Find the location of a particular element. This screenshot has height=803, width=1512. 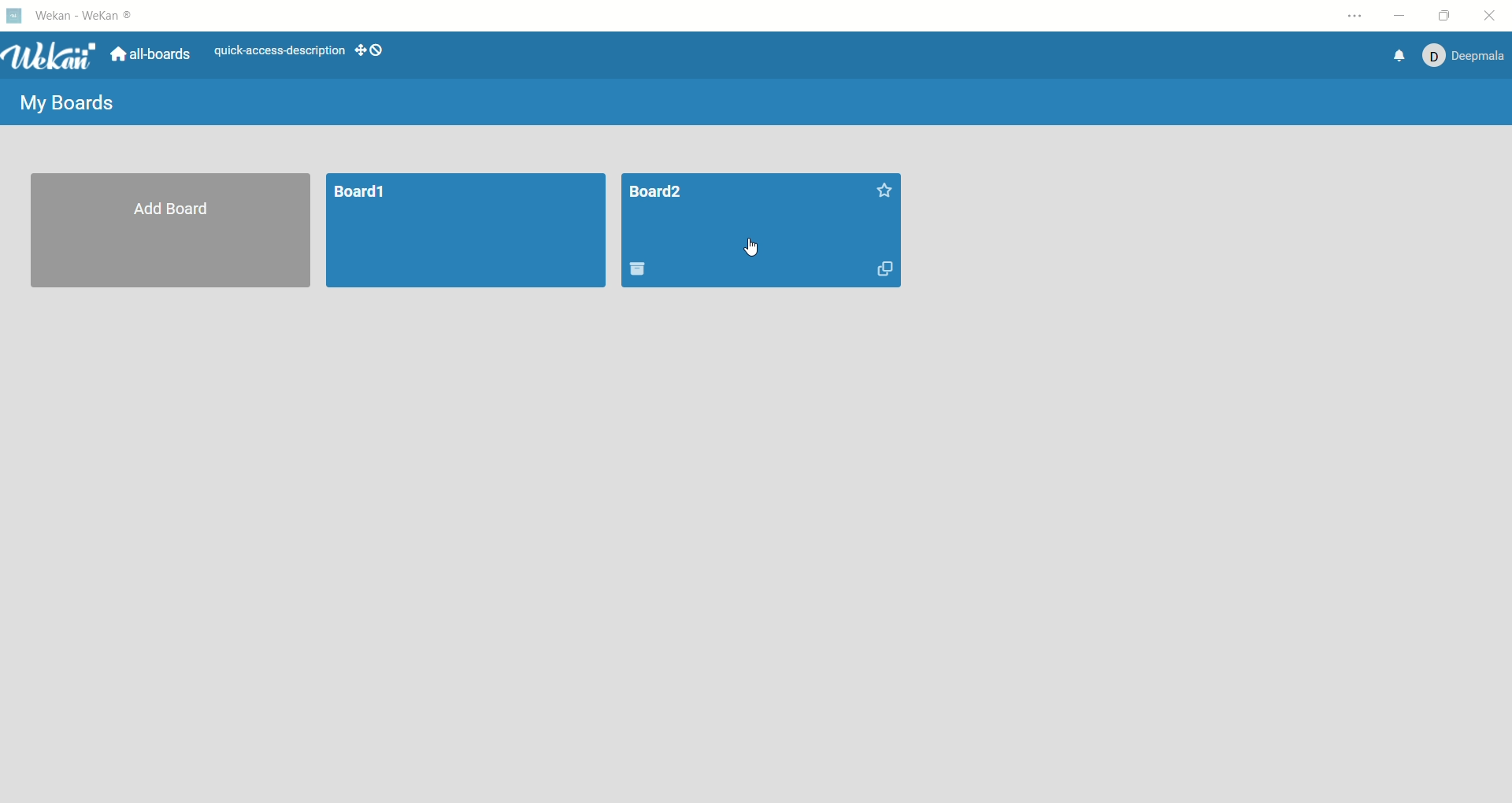

show-desktop-drag-handles is located at coordinates (377, 50).